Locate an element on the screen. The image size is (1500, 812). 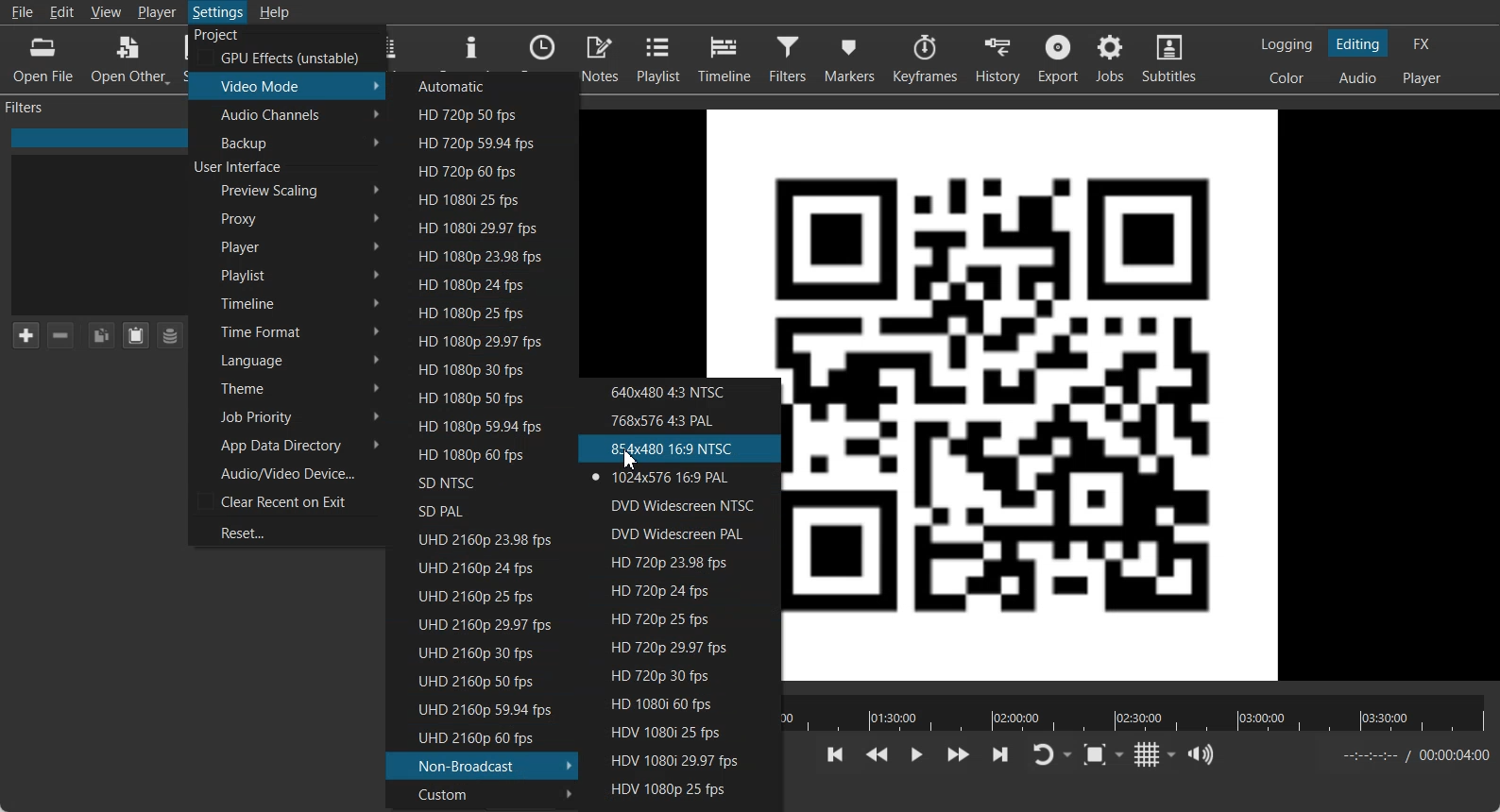
Play quickly forward is located at coordinates (959, 755).